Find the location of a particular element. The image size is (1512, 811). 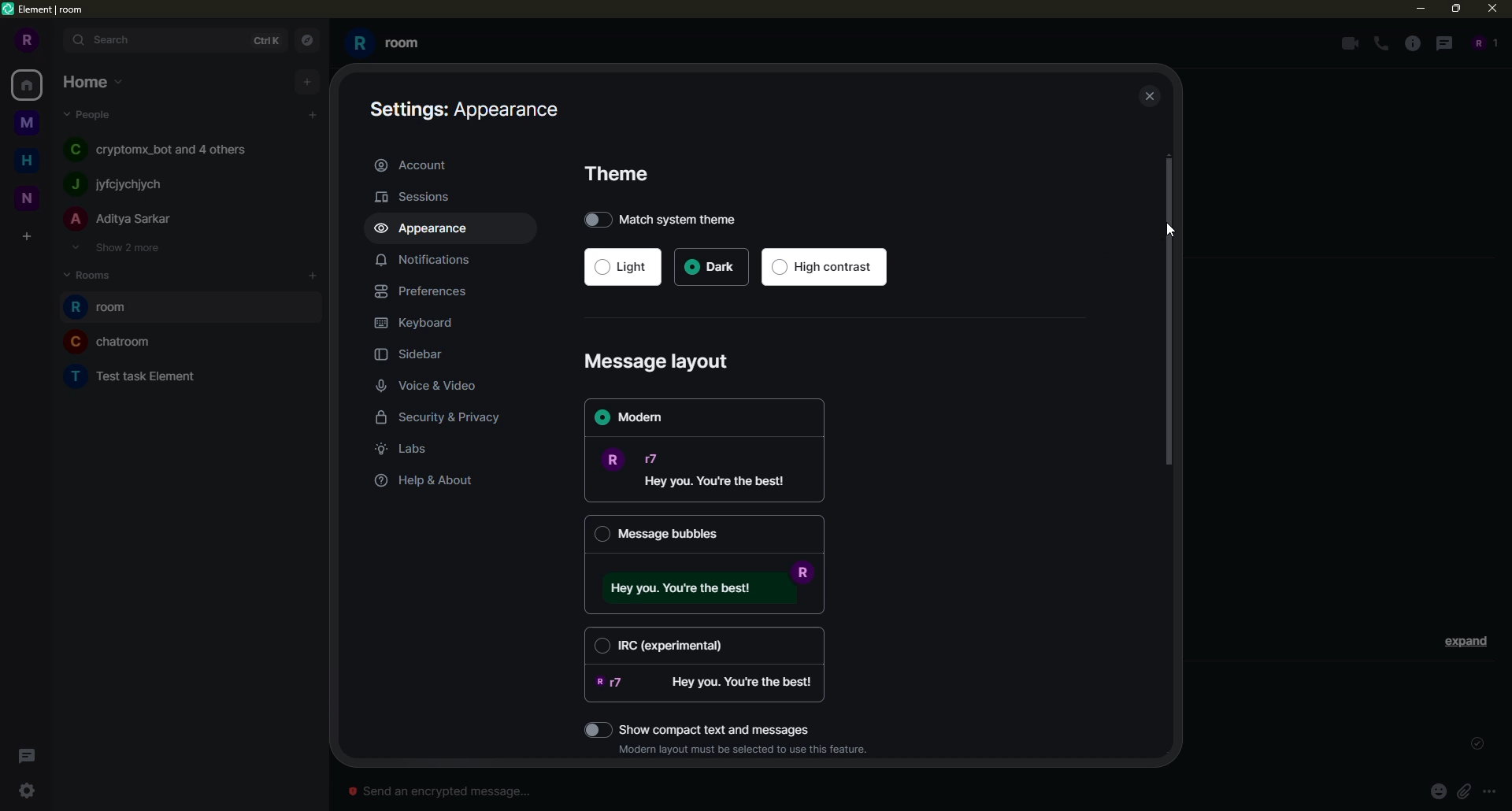

appearance is located at coordinates (469, 107).